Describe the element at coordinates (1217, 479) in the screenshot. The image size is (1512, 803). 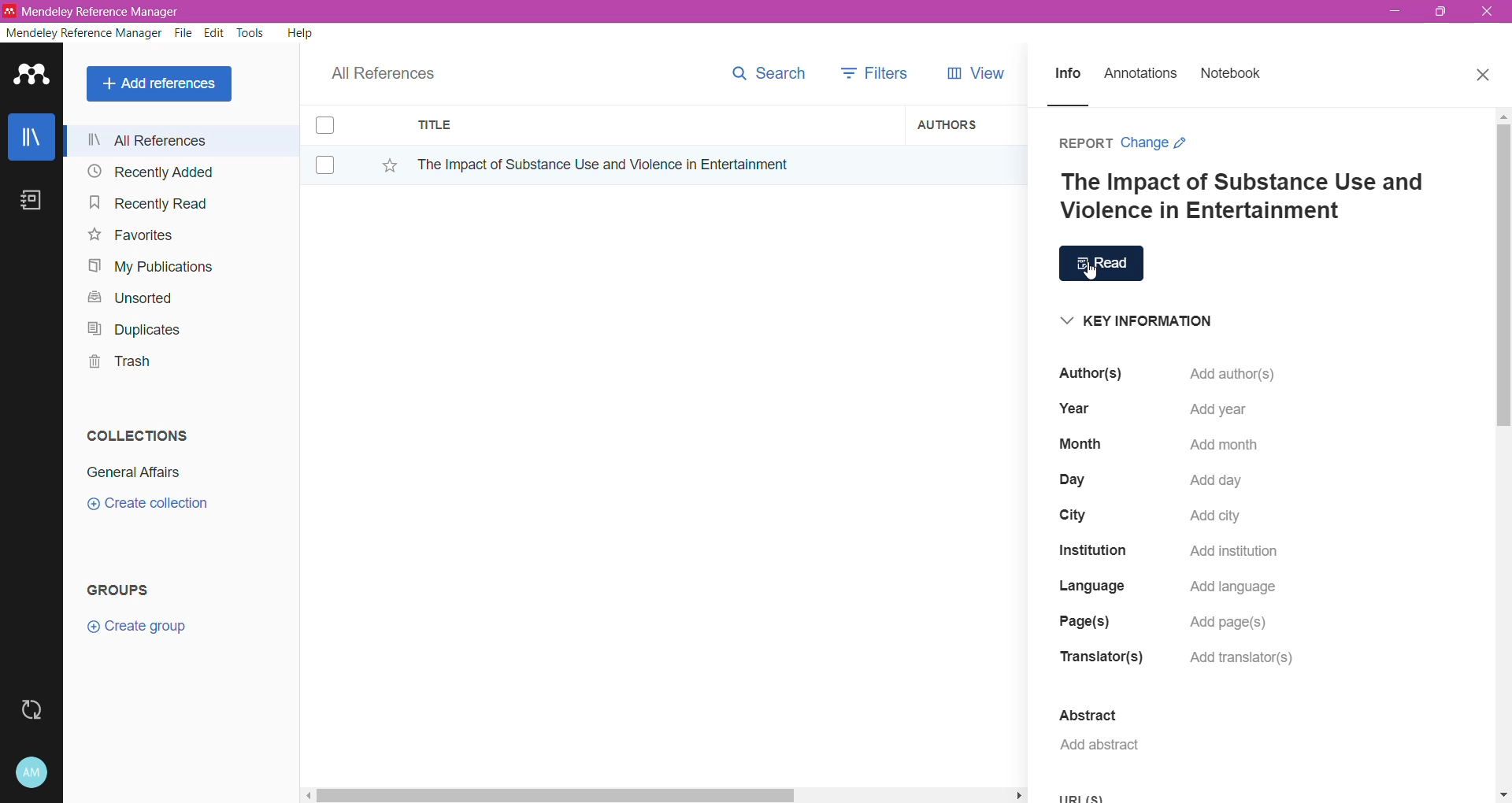
I see `Click to Add day` at that location.